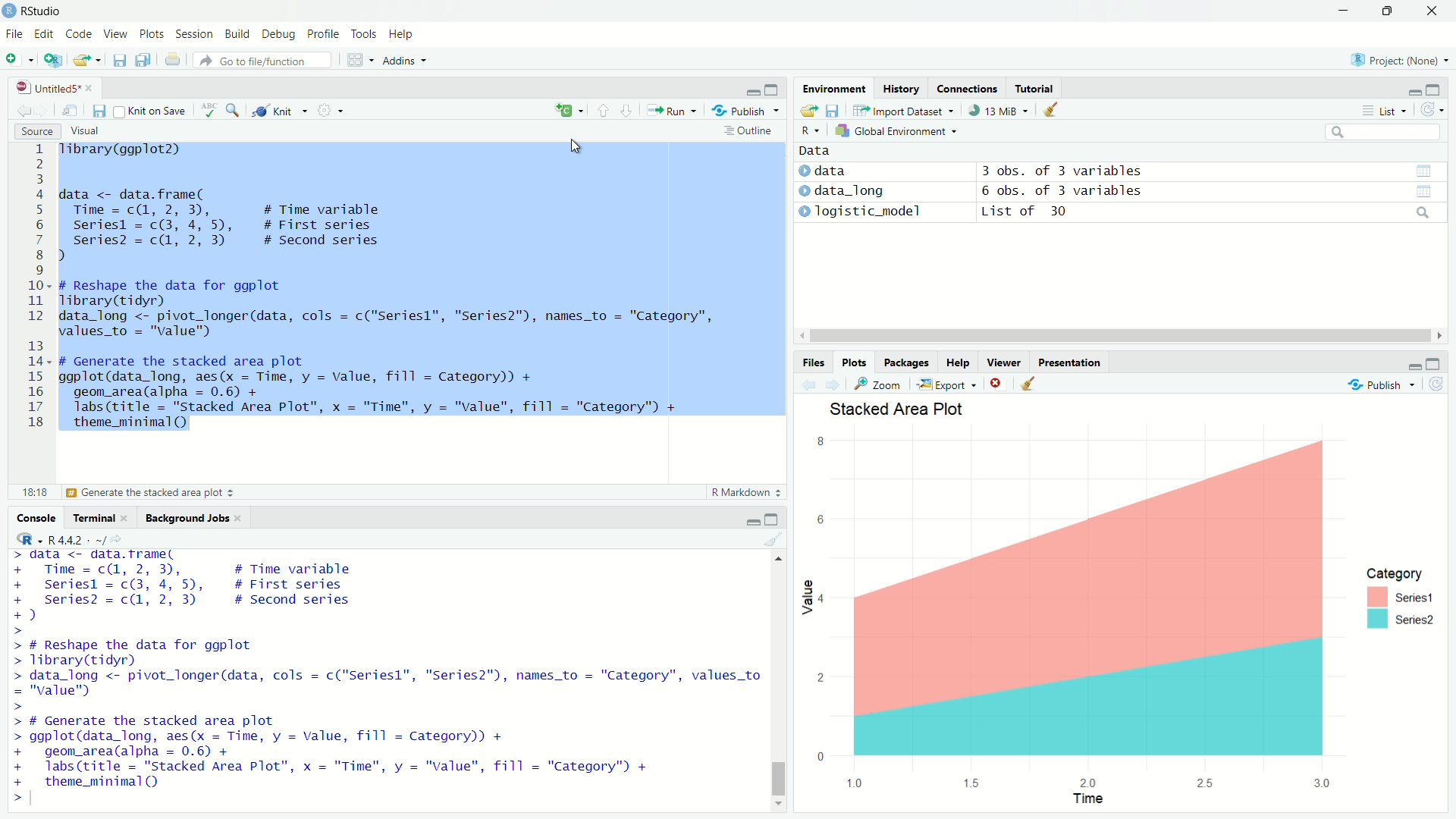 This screenshot has width=1456, height=819. I want to click on files, so click(834, 111).